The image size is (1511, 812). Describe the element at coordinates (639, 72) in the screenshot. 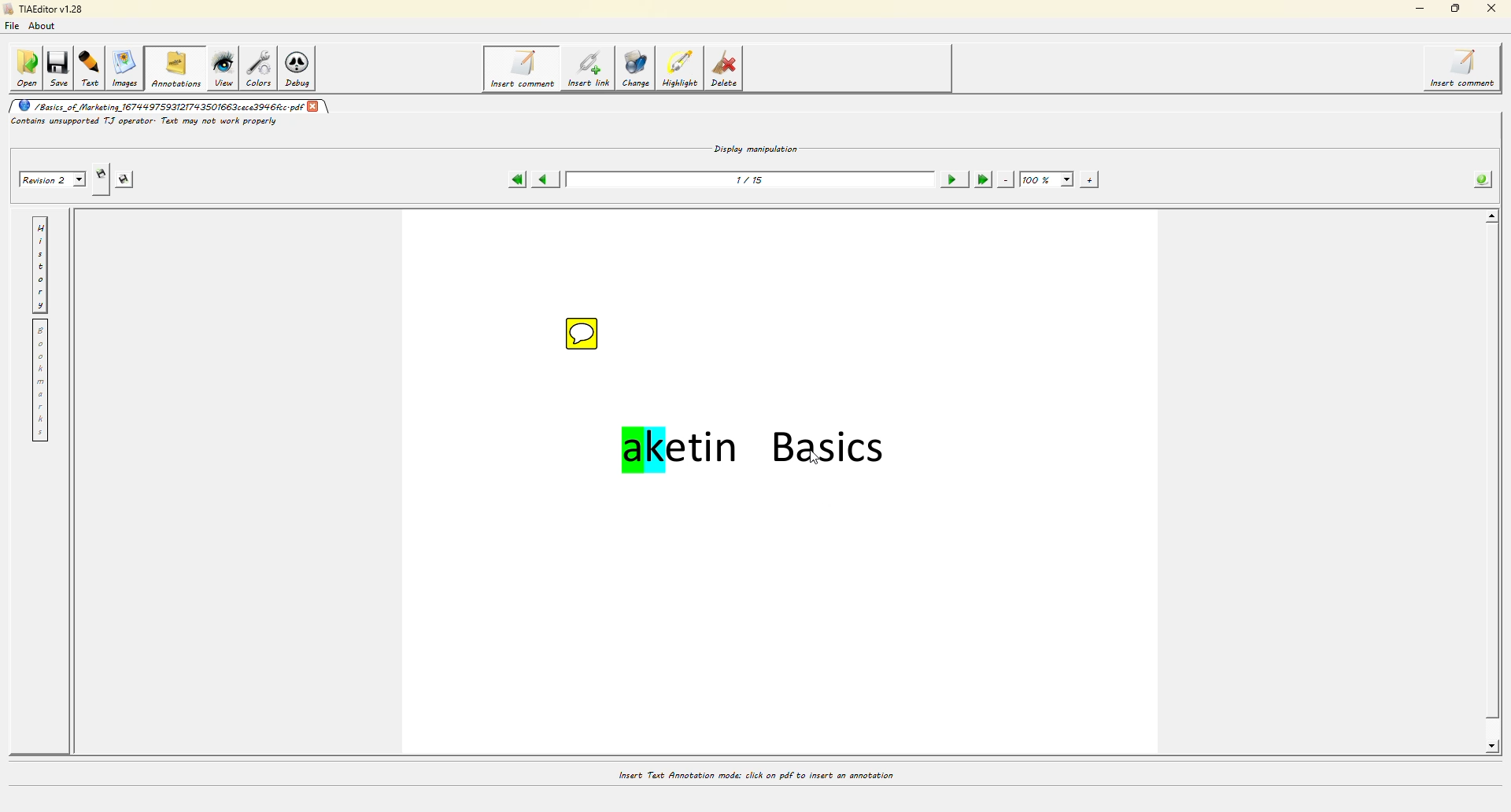

I see `change` at that location.